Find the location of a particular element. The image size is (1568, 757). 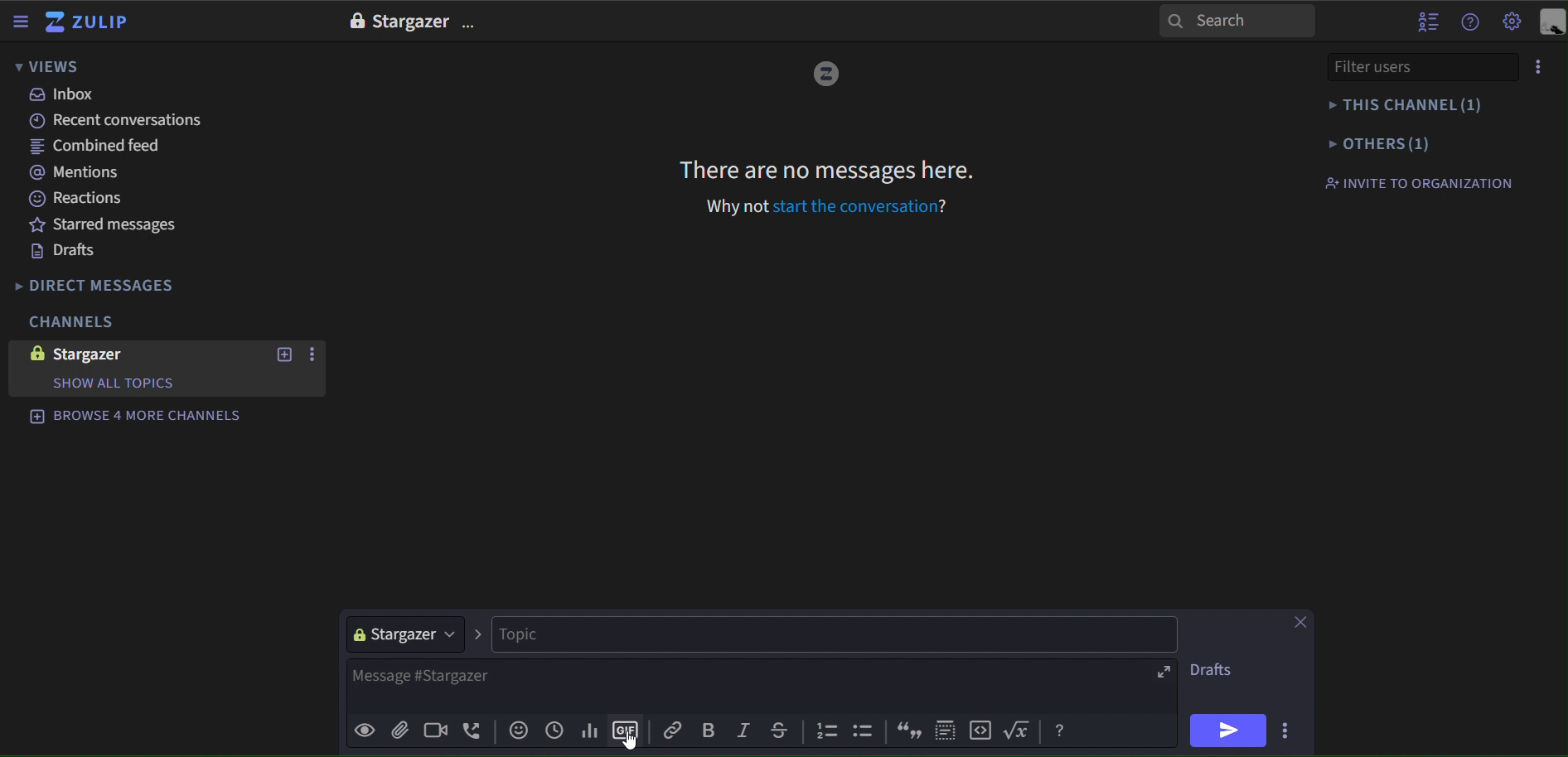

hide user list is located at coordinates (1428, 20).